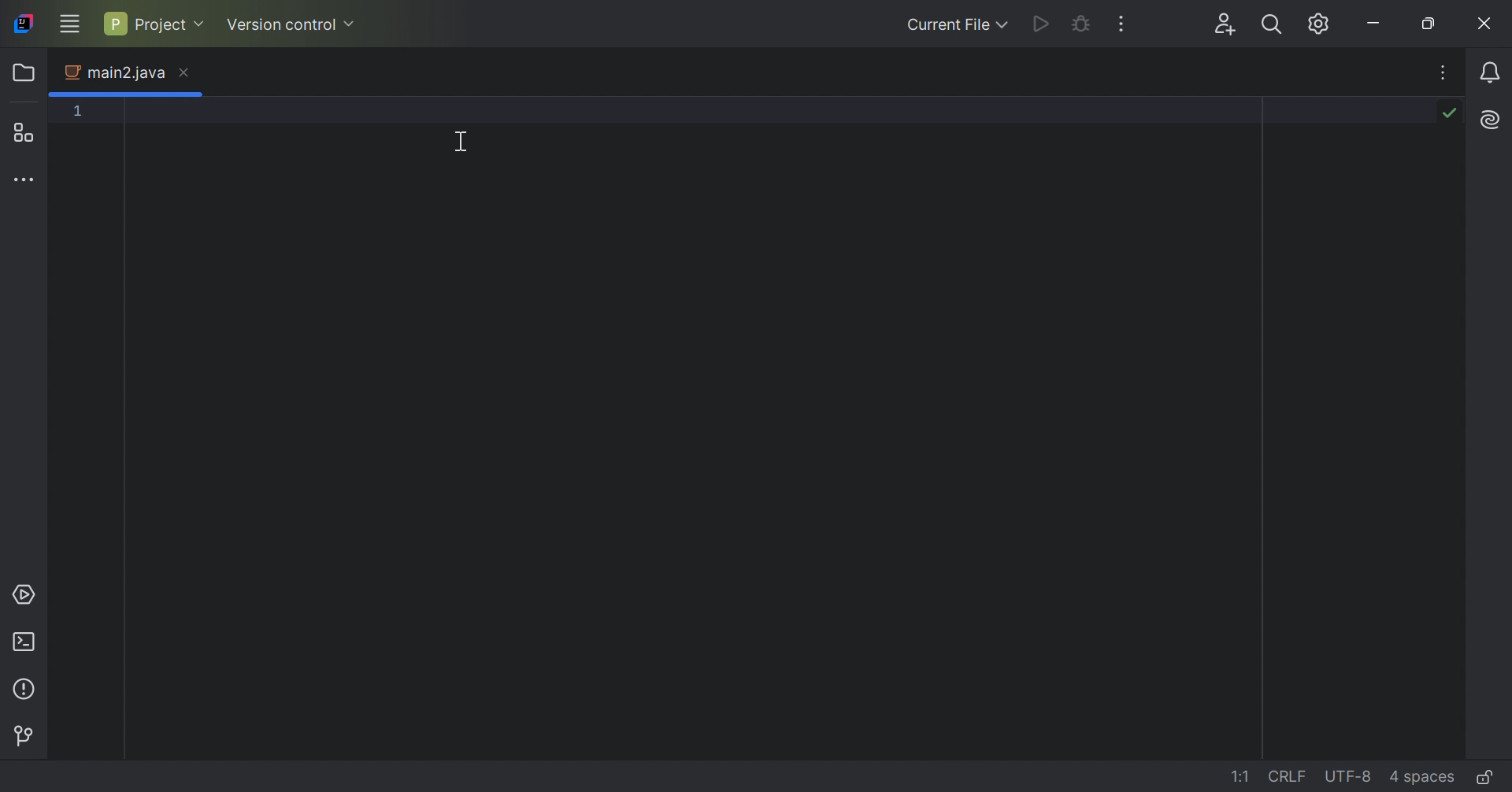  Describe the element at coordinates (1481, 779) in the screenshot. I see `Make file read-only` at that location.